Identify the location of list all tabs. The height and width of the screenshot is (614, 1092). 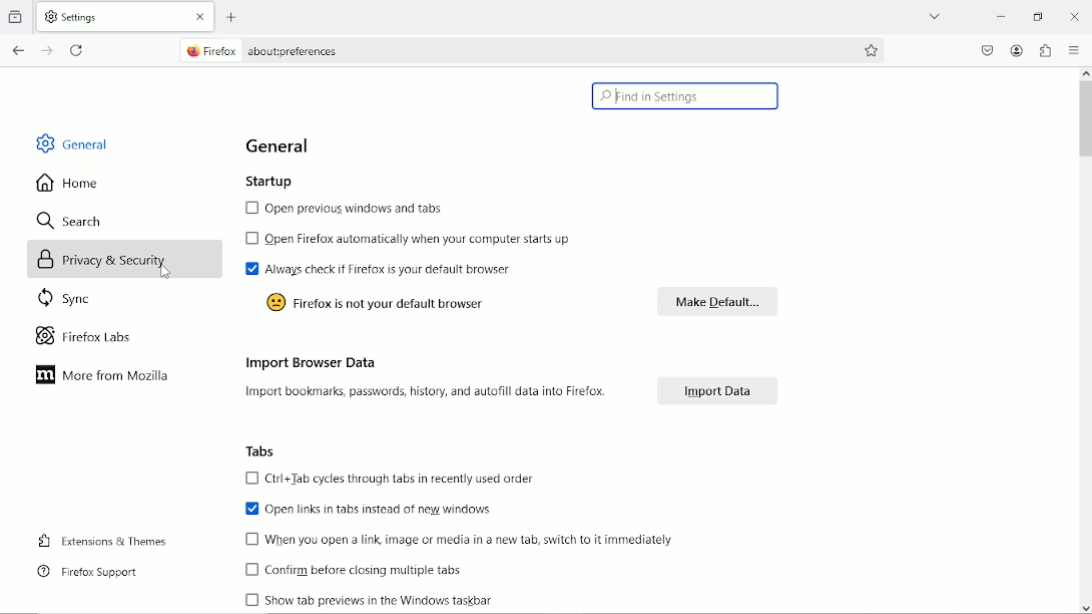
(934, 15).